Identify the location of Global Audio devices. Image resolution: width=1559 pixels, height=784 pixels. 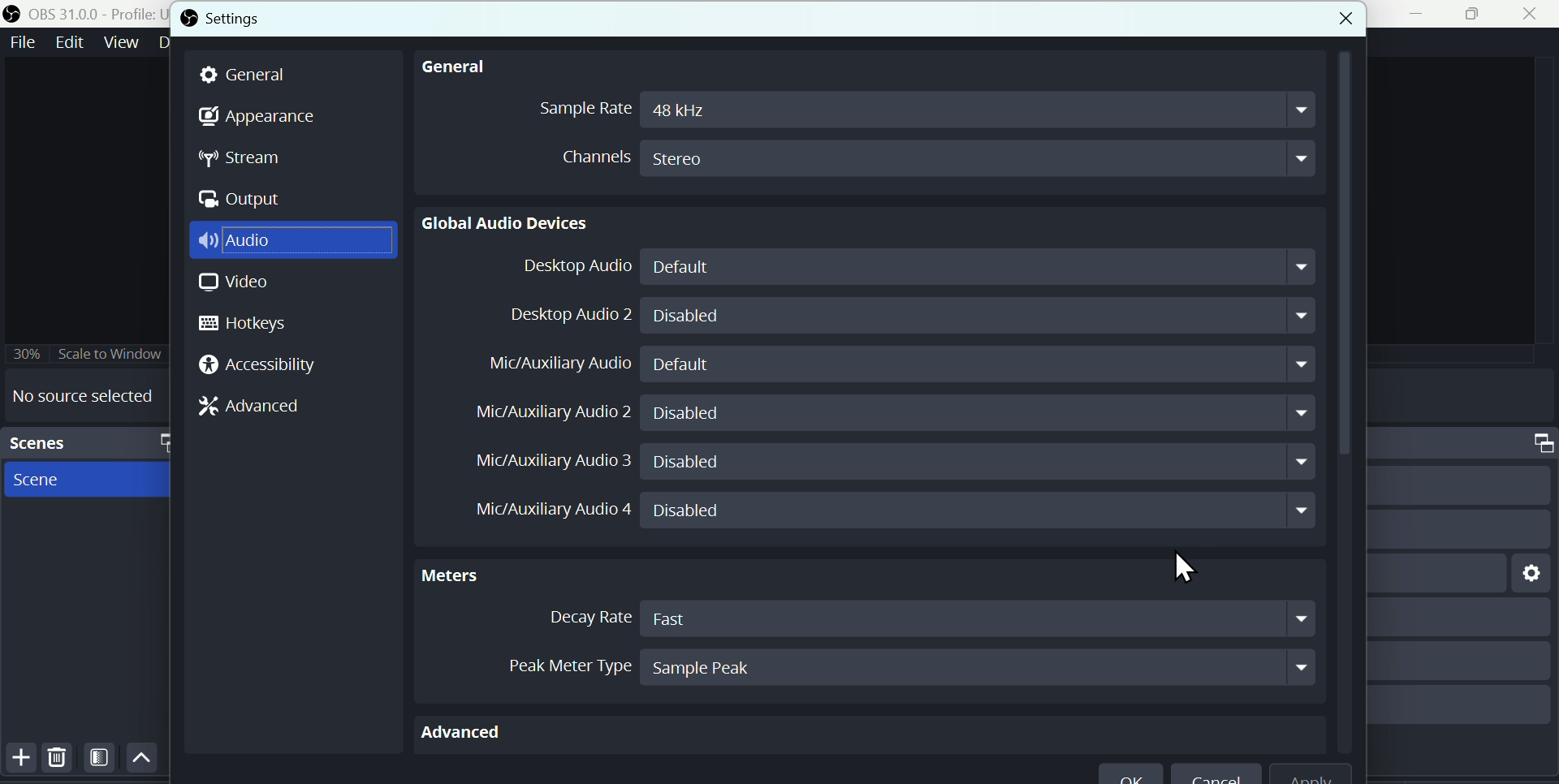
(513, 223).